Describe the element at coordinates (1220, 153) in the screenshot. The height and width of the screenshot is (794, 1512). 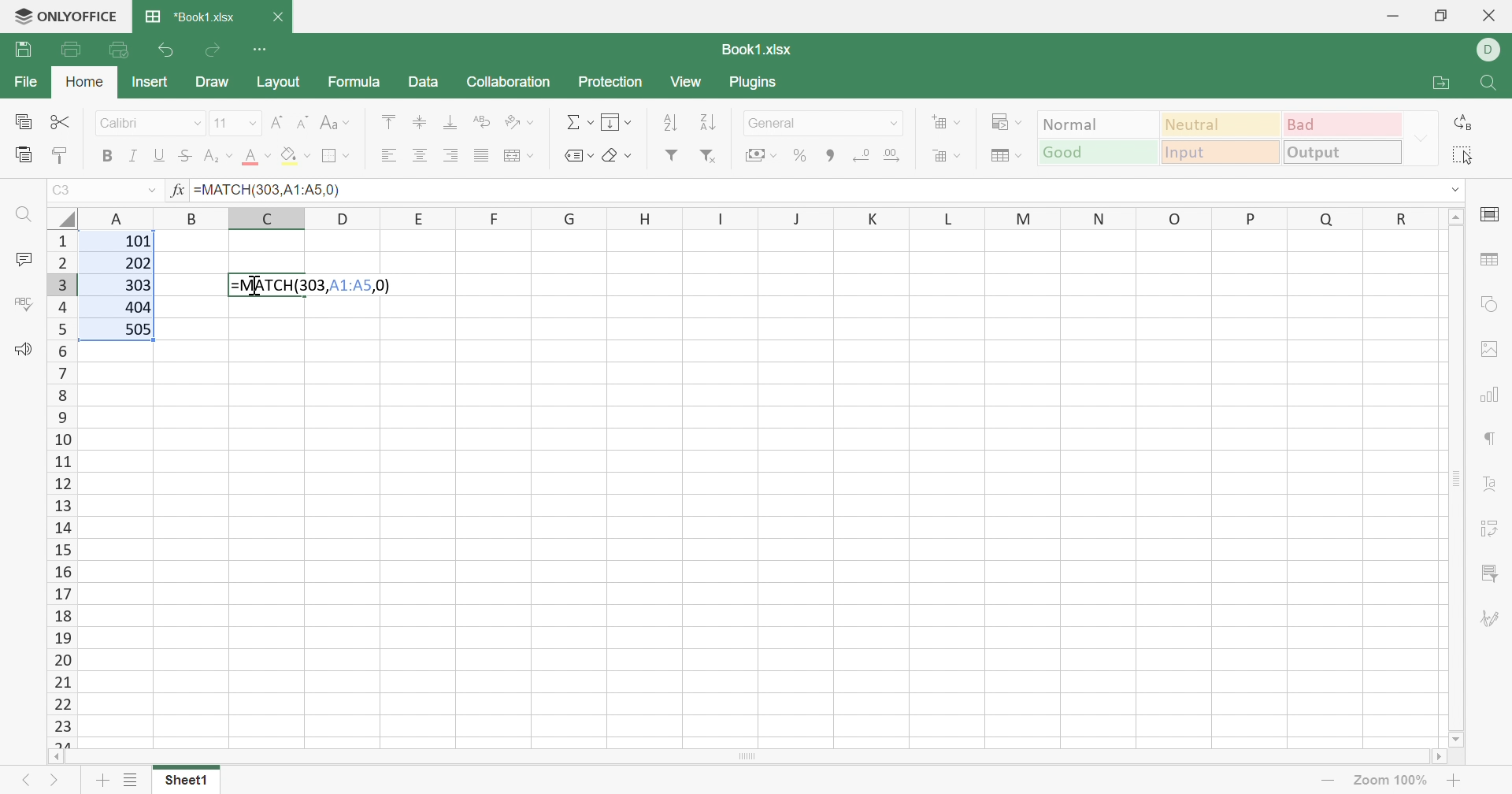
I see `Input` at that location.